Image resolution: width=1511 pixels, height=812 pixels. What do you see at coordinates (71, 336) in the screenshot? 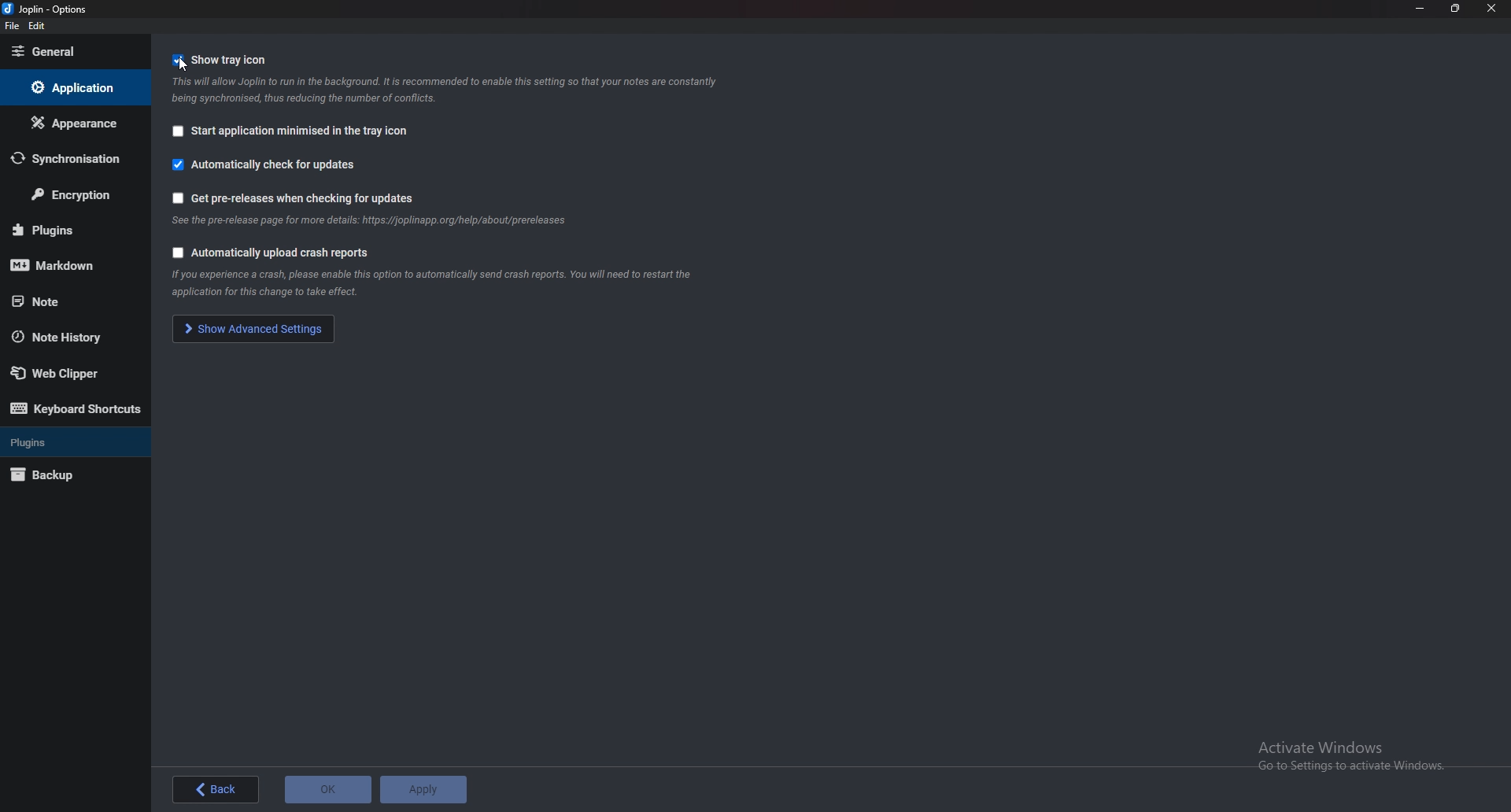
I see `Note history` at bounding box center [71, 336].